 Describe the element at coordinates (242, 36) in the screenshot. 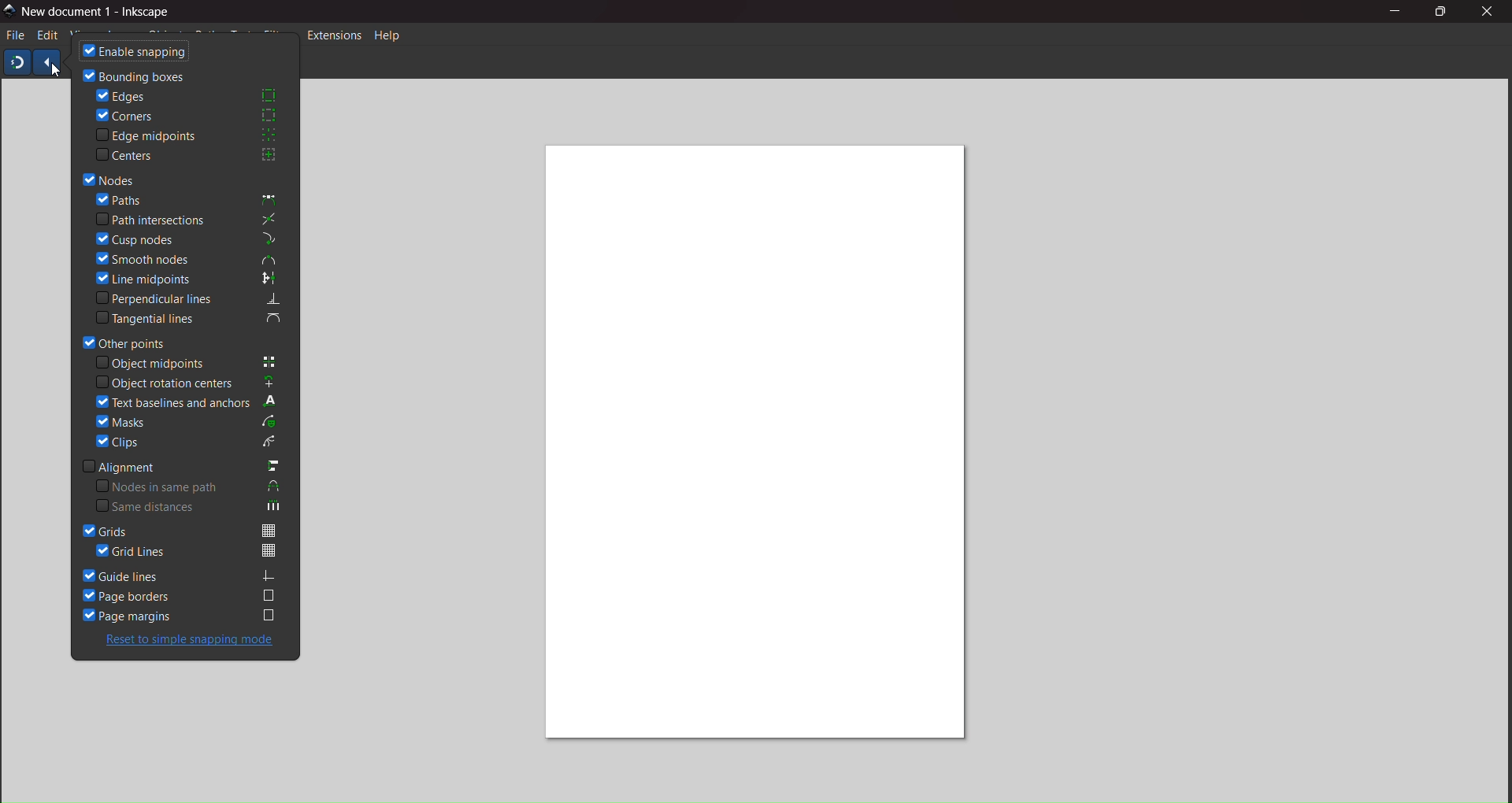

I see `Text` at that location.